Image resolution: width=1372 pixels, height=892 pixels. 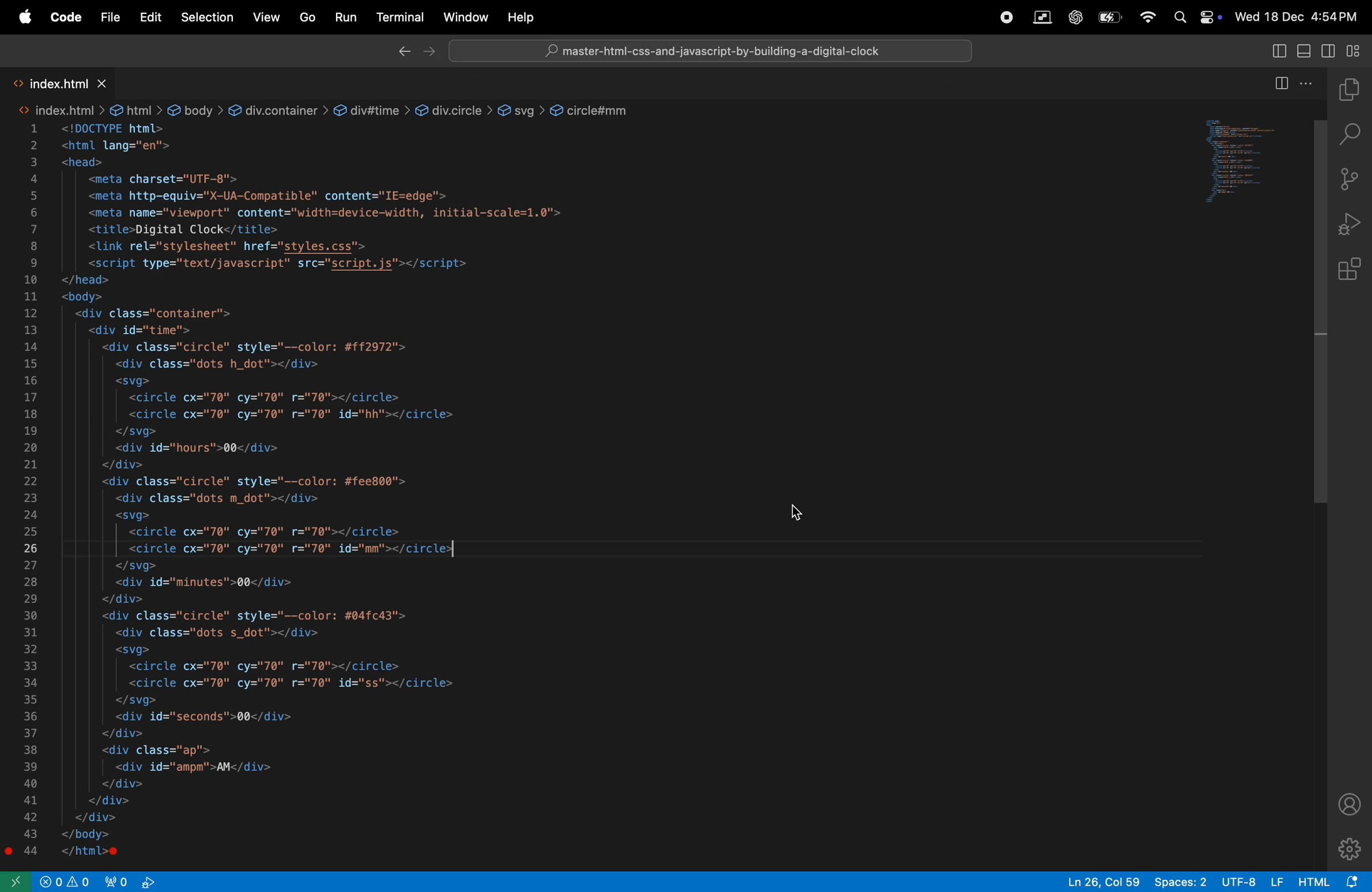 I want to click on cursor, so click(x=798, y=512).